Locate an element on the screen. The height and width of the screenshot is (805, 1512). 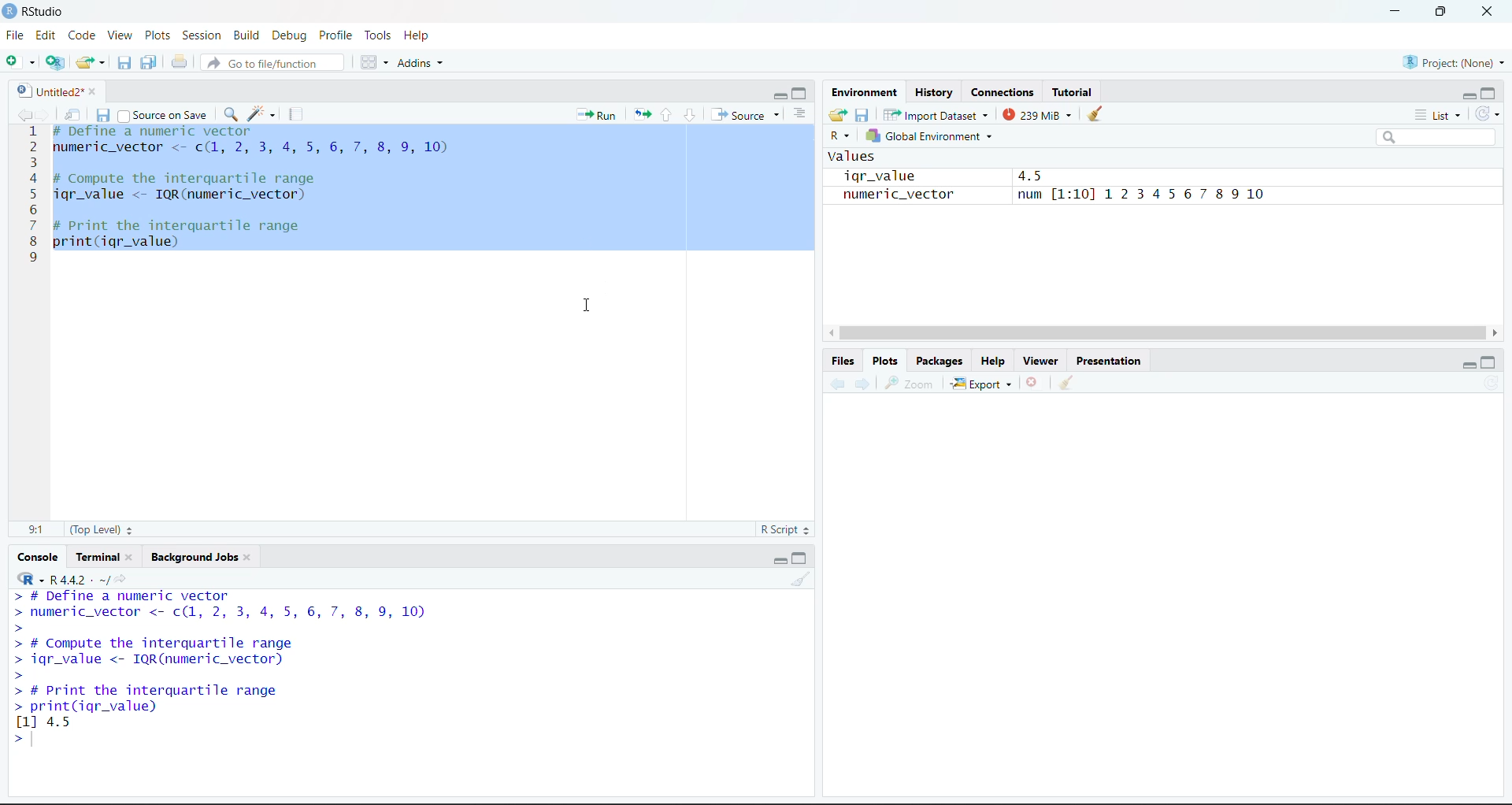
Connections is located at coordinates (1002, 93).